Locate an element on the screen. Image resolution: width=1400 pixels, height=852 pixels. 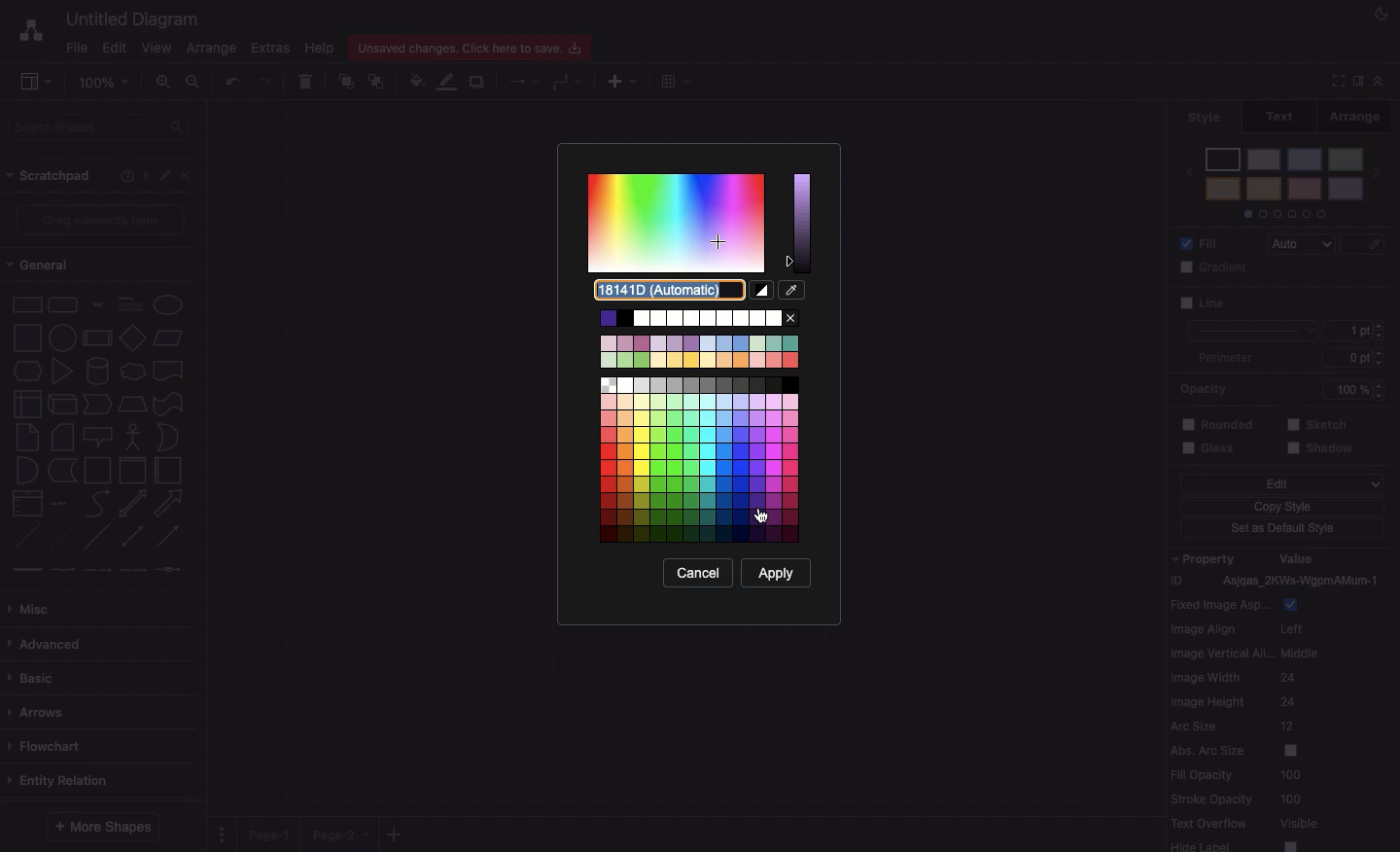
Line color is located at coordinates (450, 81).